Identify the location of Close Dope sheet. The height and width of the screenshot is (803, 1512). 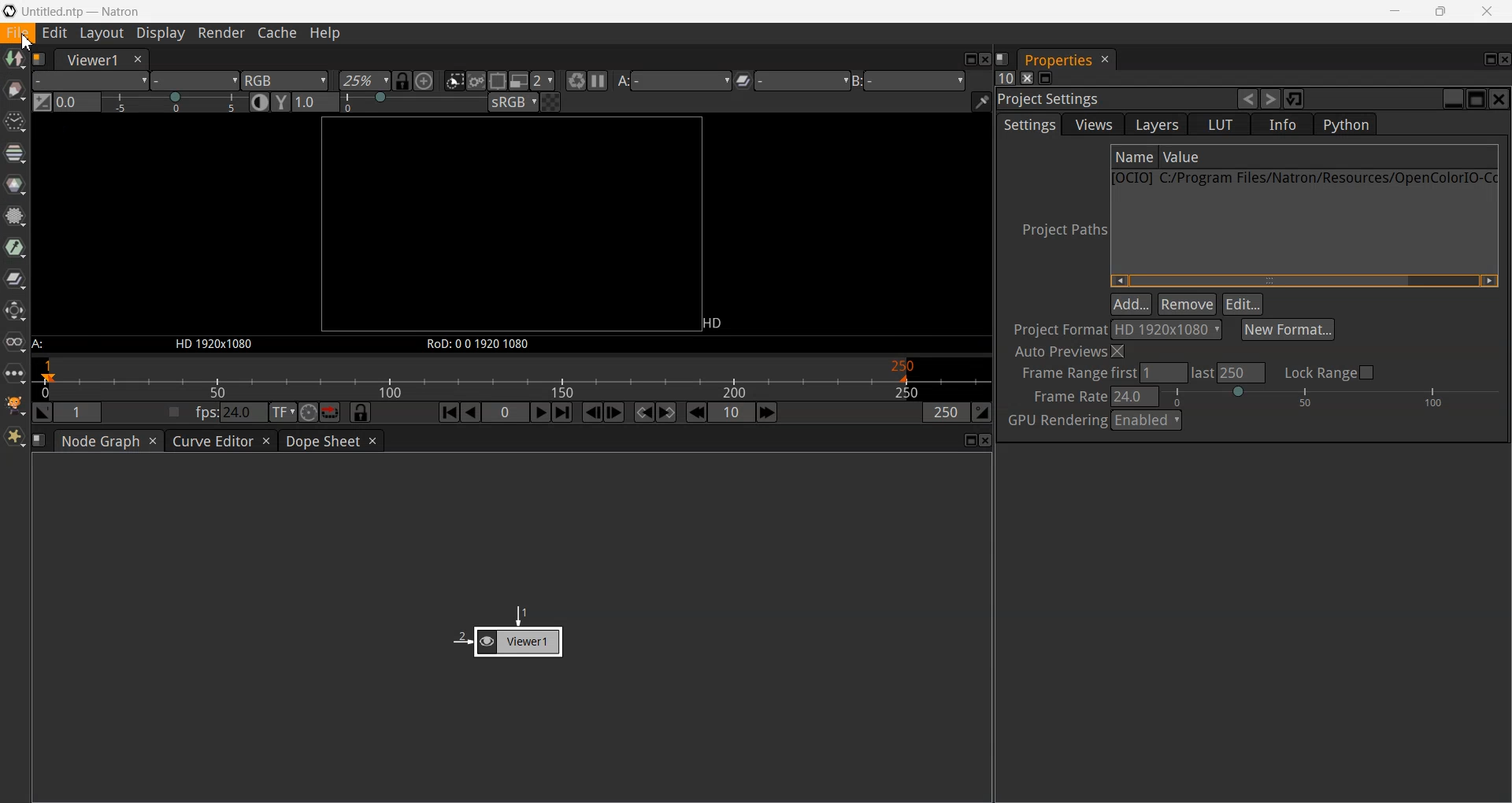
(372, 440).